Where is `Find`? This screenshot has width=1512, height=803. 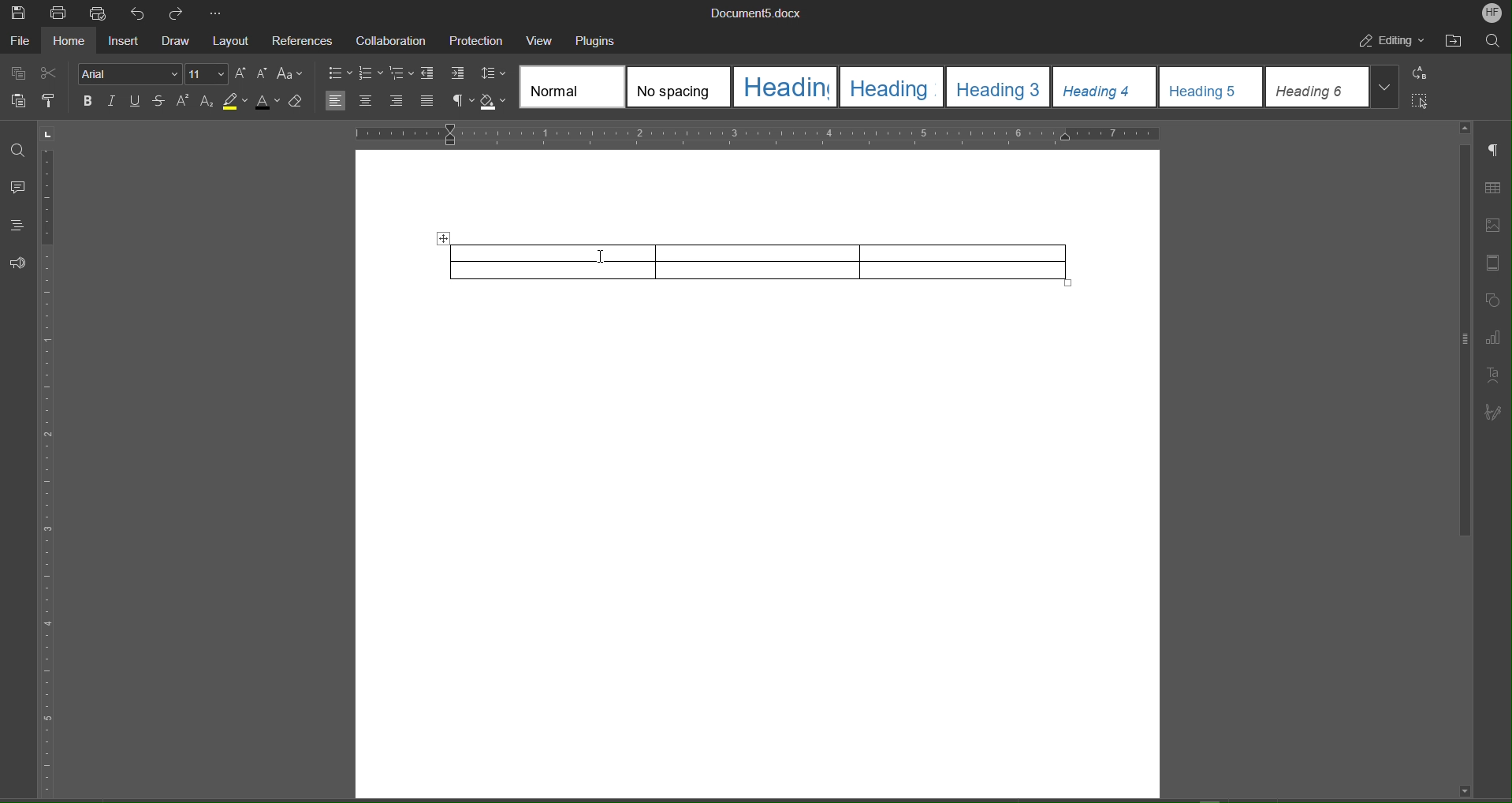 Find is located at coordinates (18, 151).